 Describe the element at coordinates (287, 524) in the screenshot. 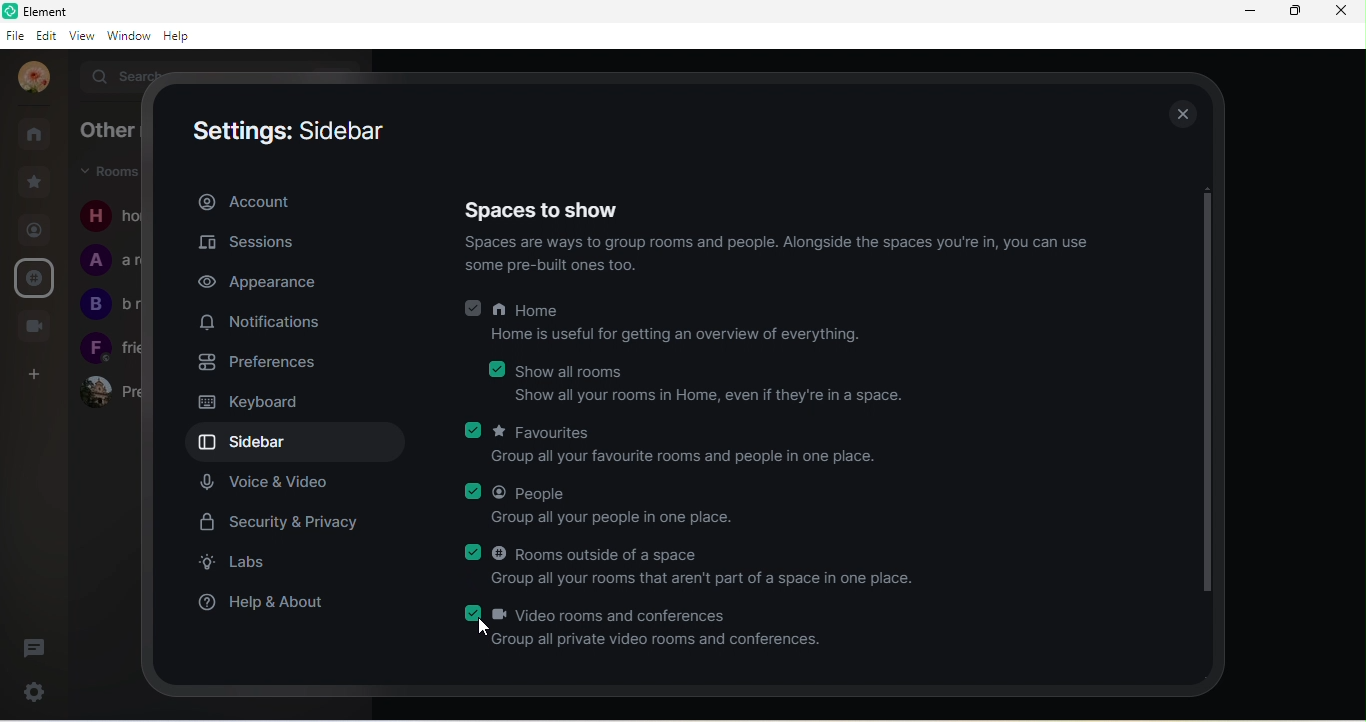

I see `security and privacy` at that location.